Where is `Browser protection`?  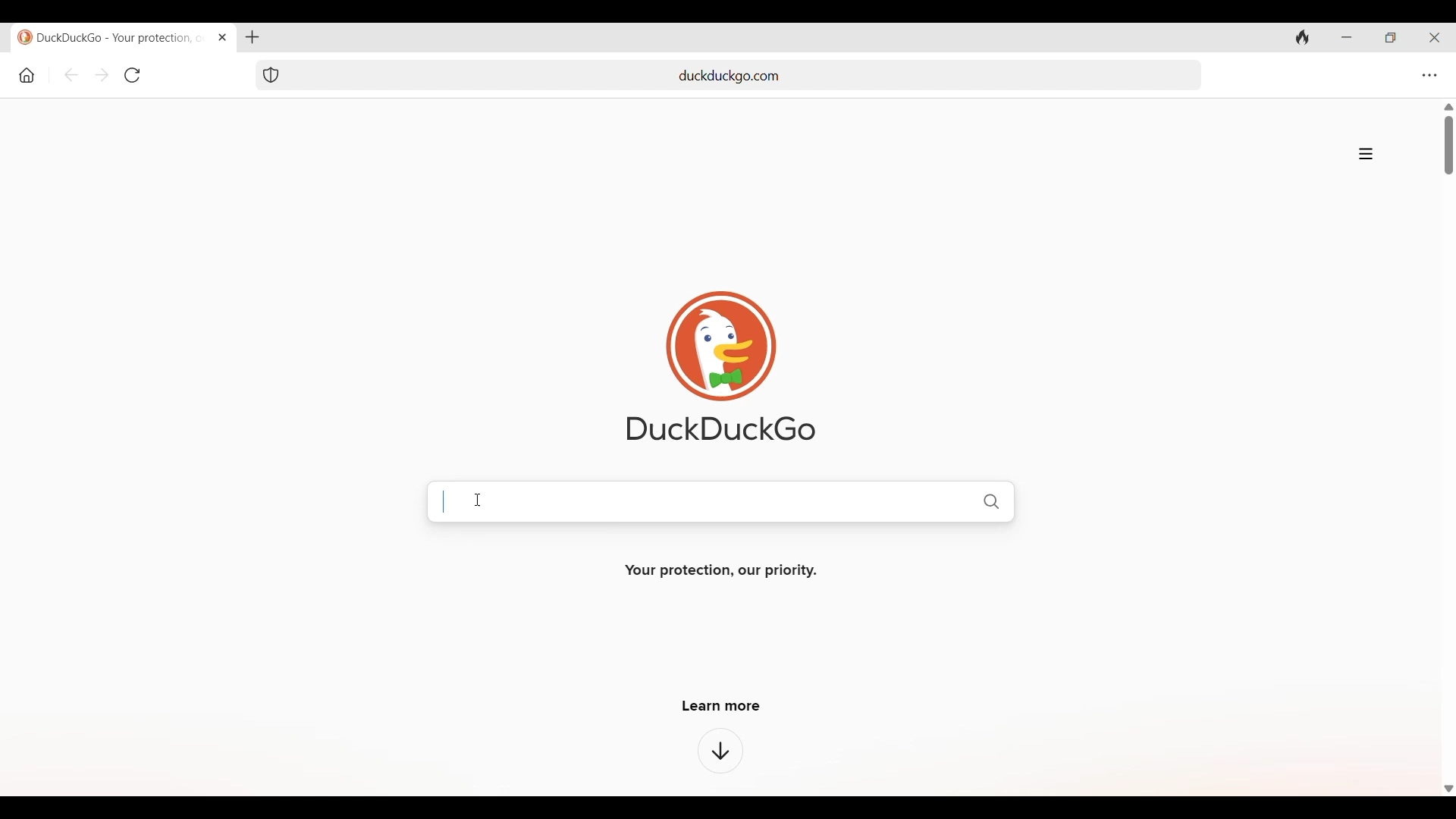 Browser protection is located at coordinates (271, 75).